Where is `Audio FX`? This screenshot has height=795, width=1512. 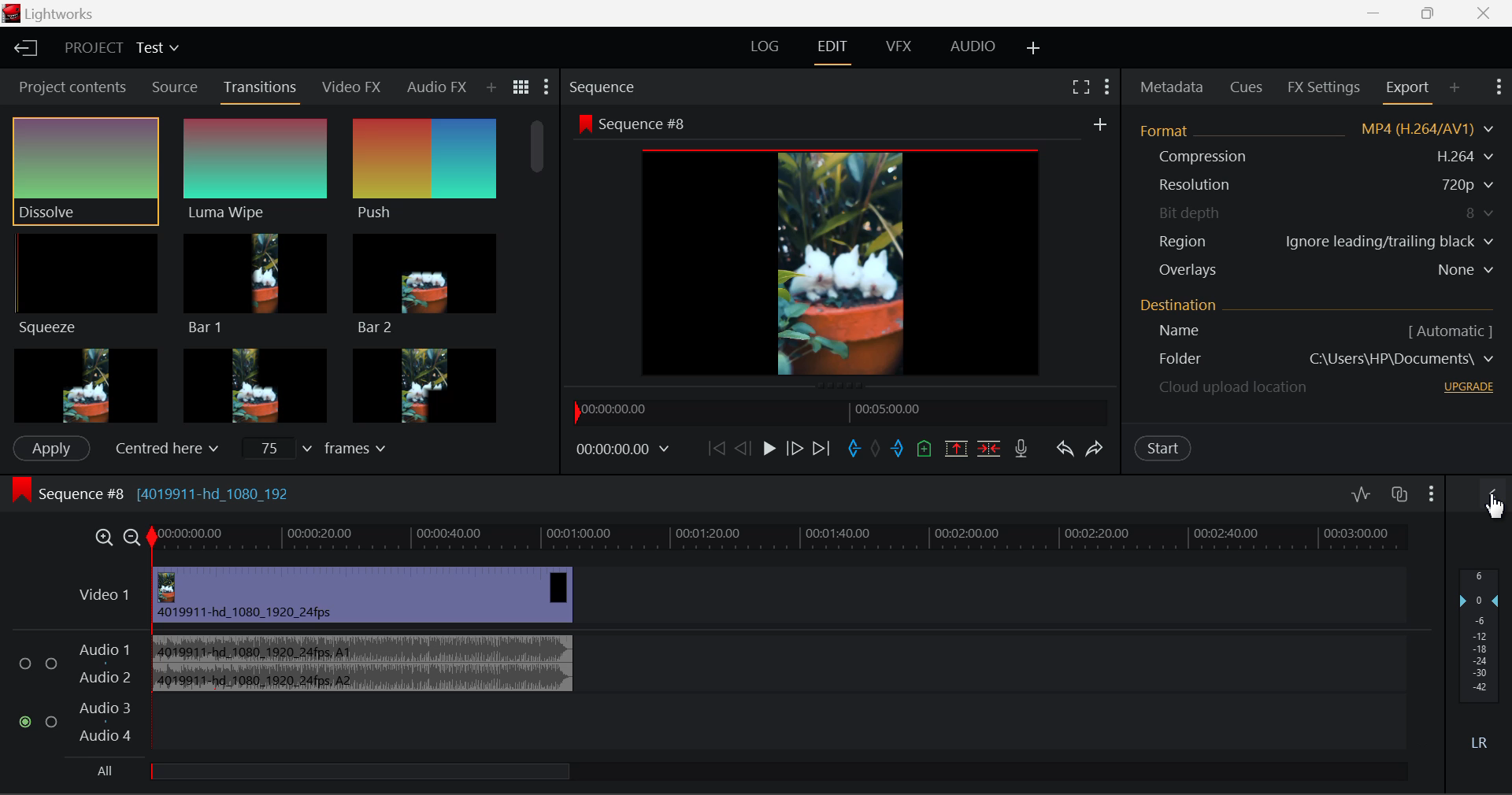
Audio FX is located at coordinates (438, 89).